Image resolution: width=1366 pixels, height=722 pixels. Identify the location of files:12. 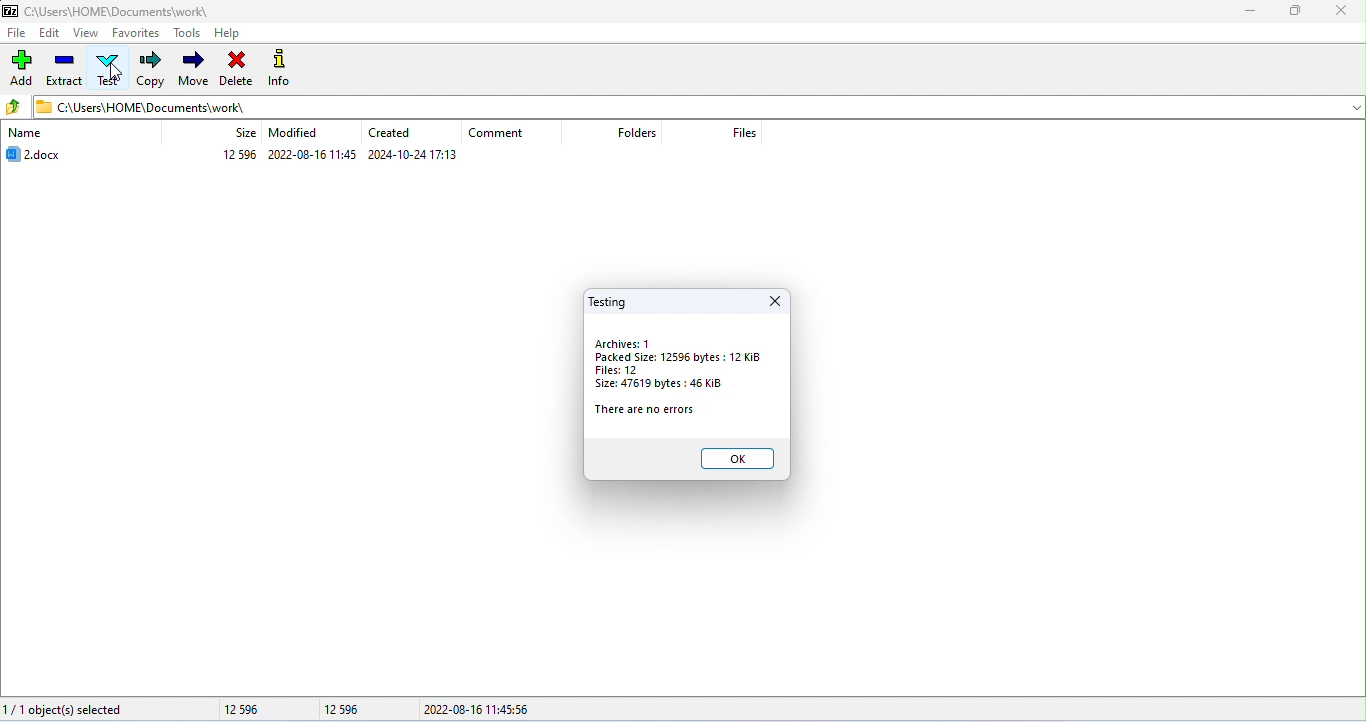
(618, 370).